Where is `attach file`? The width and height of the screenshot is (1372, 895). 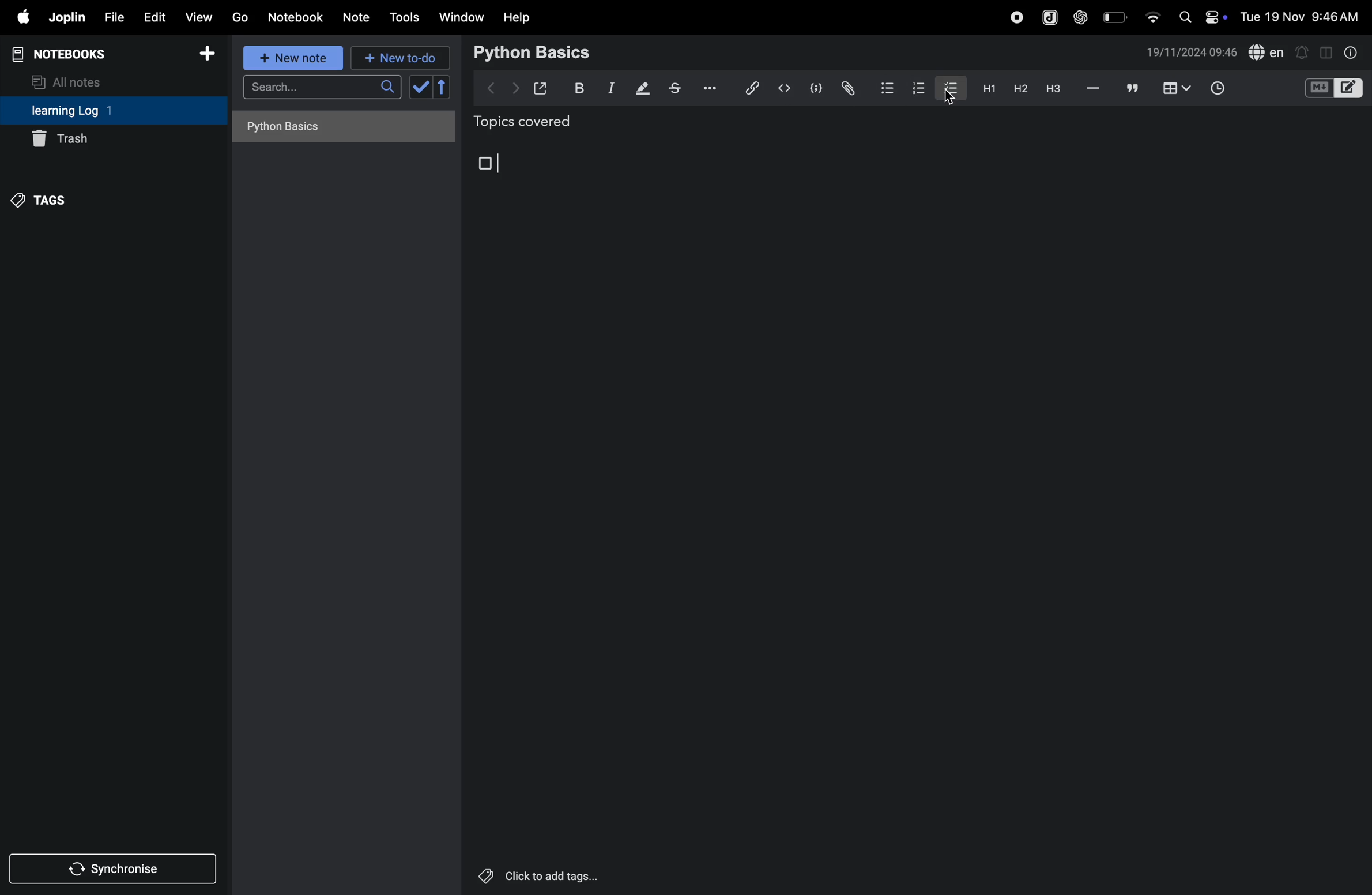 attach file is located at coordinates (847, 88).